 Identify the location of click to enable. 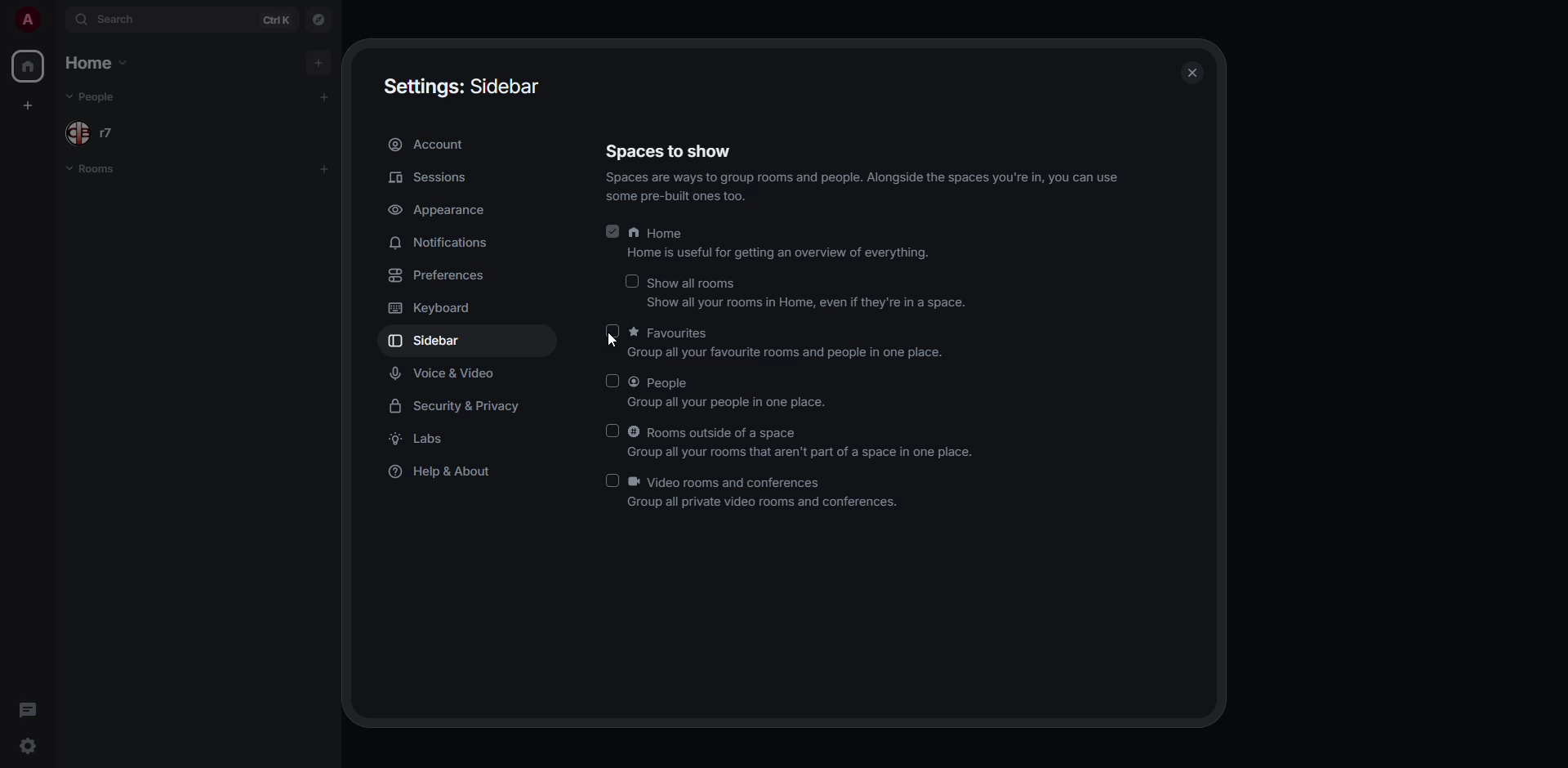
(614, 332).